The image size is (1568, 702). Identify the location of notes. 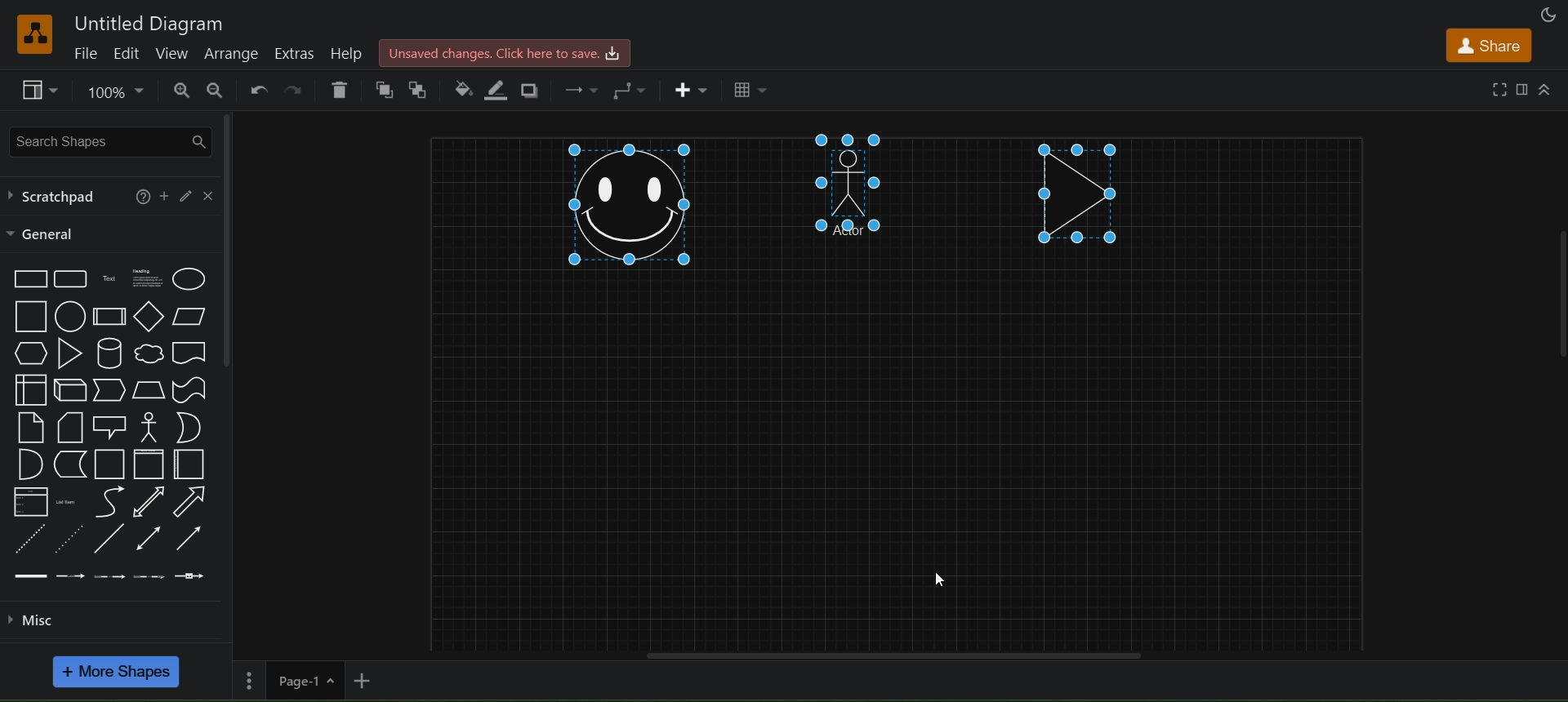
(26, 426).